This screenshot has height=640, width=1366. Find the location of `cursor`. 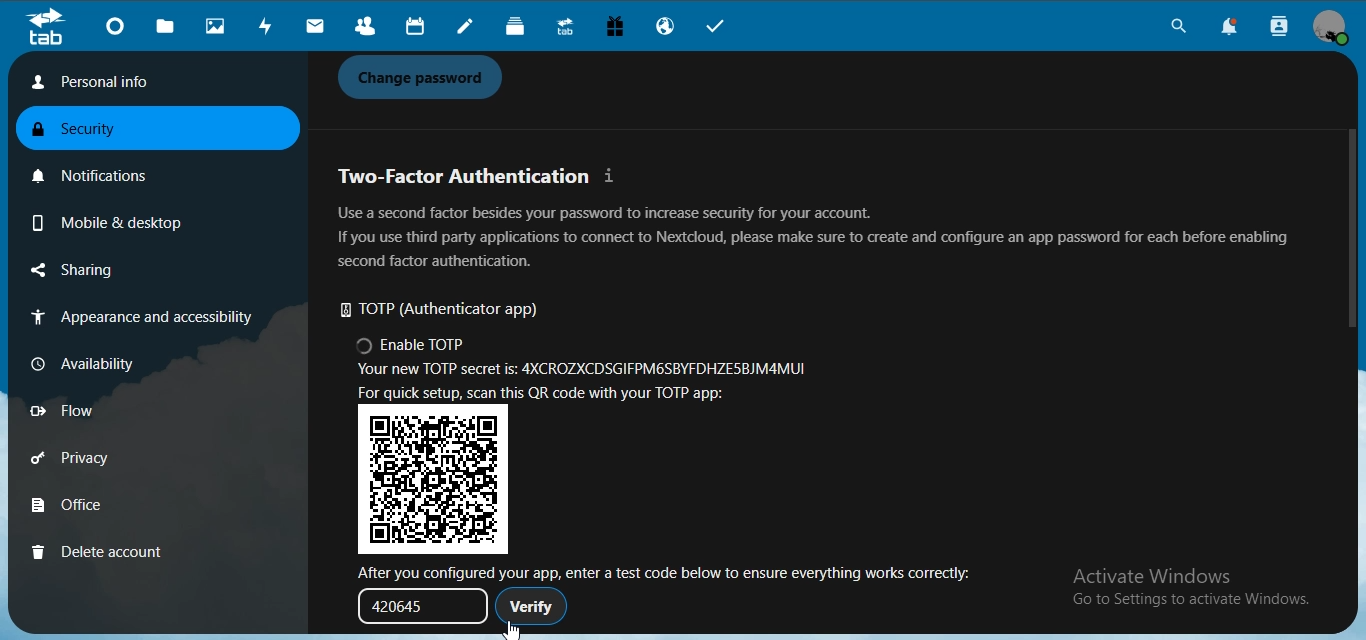

cursor is located at coordinates (511, 630).